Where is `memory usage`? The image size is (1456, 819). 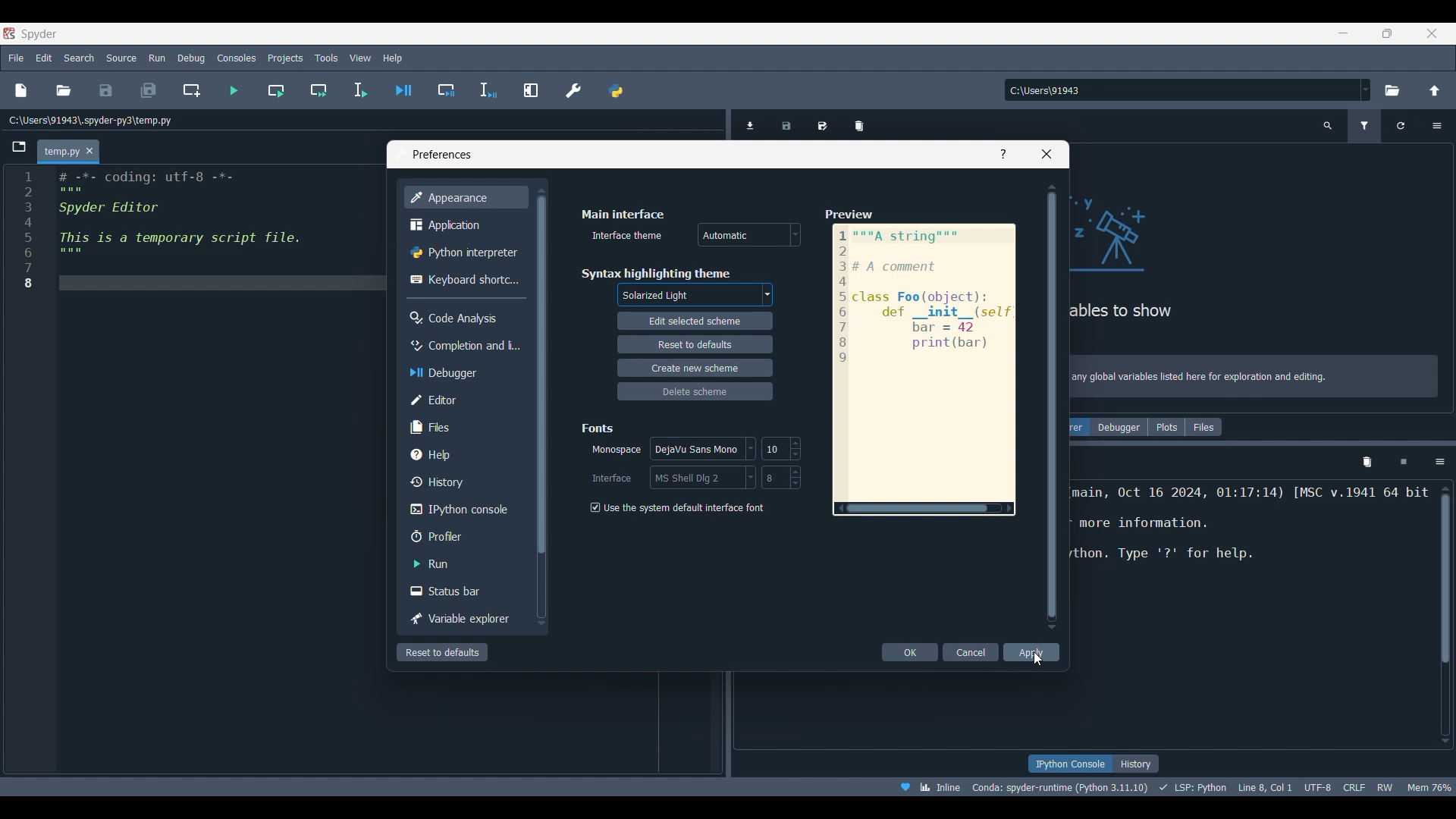
memory usage is located at coordinates (1432, 786).